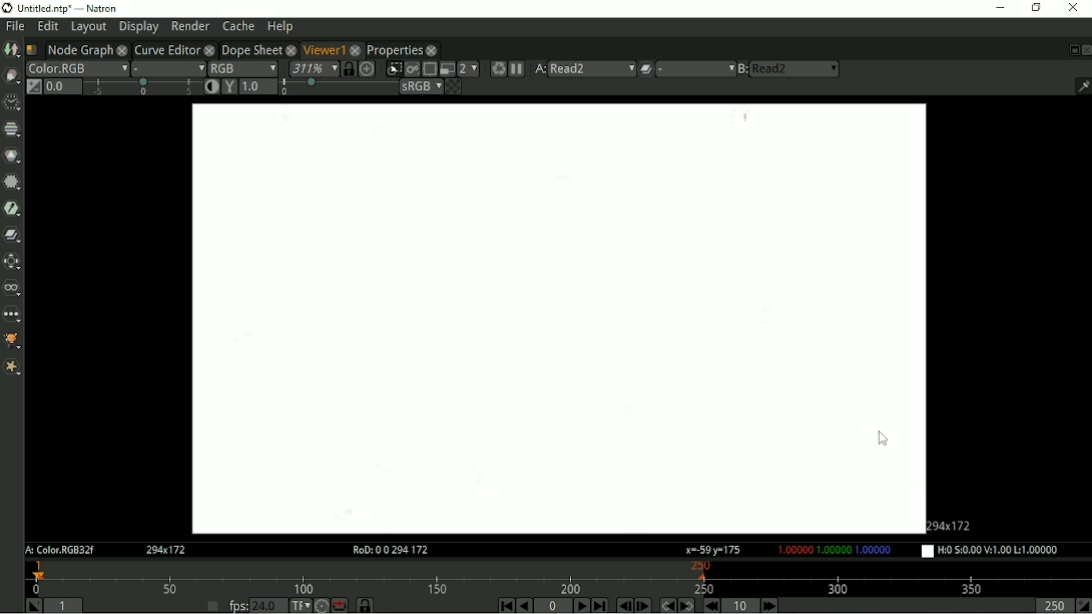  What do you see at coordinates (243, 67) in the screenshot?
I see `RGB` at bounding box center [243, 67].